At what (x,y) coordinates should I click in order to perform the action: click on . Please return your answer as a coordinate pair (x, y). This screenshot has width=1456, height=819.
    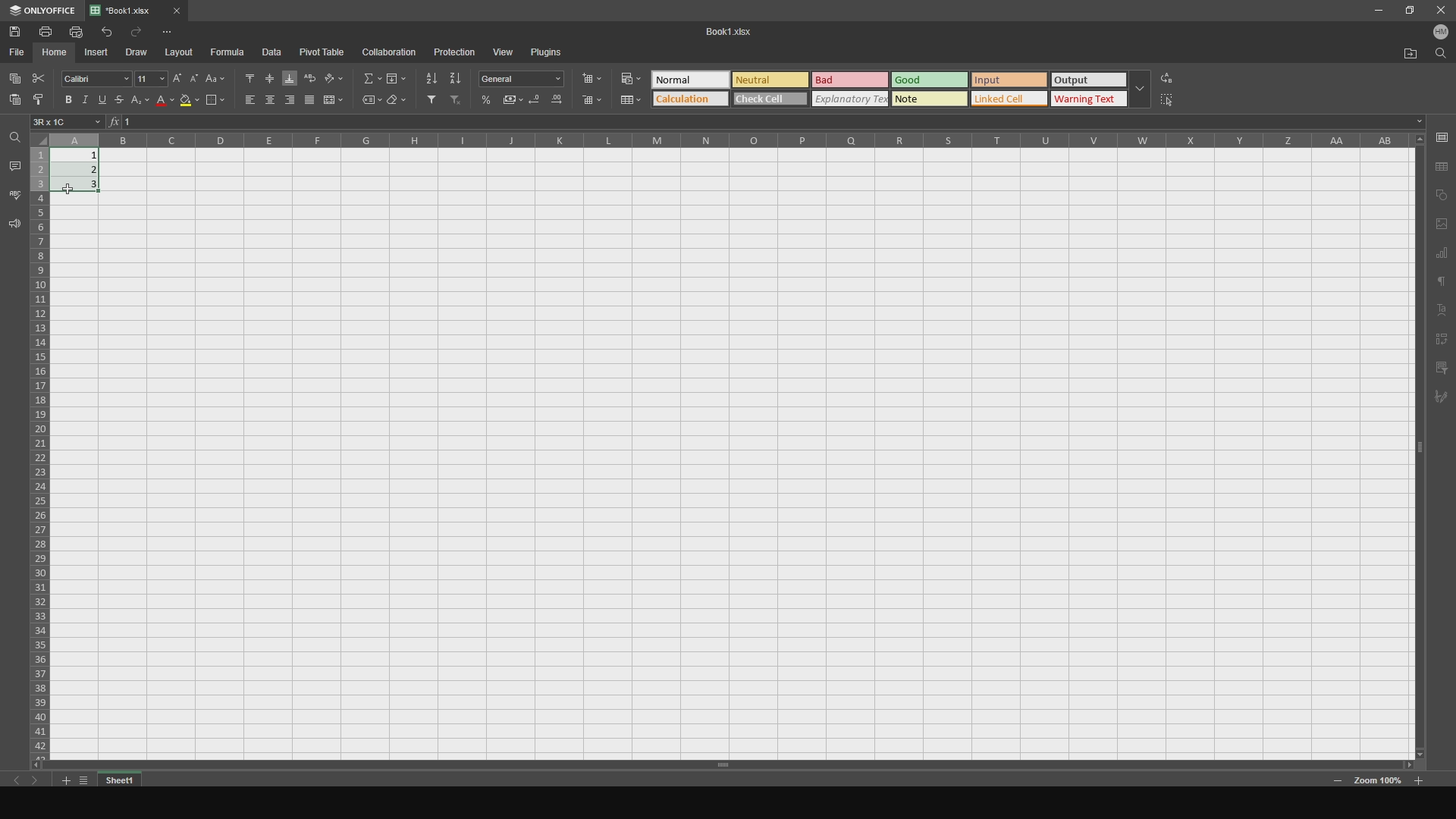
    Looking at the image, I should click on (514, 99).